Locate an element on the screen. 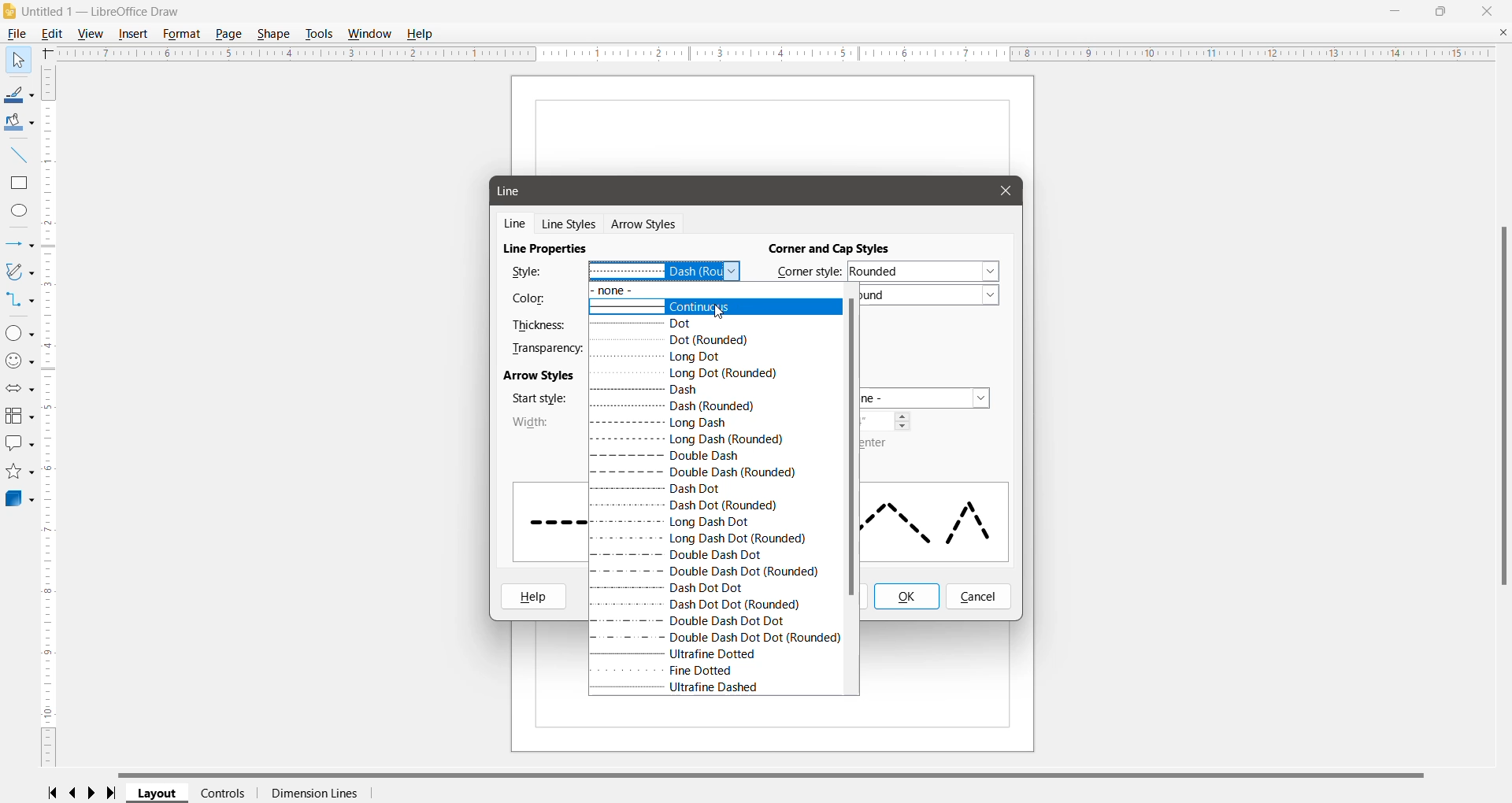 Image resolution: width=1512 pixels, height=803 pixels. Layout is located at coordinates (157, 794).